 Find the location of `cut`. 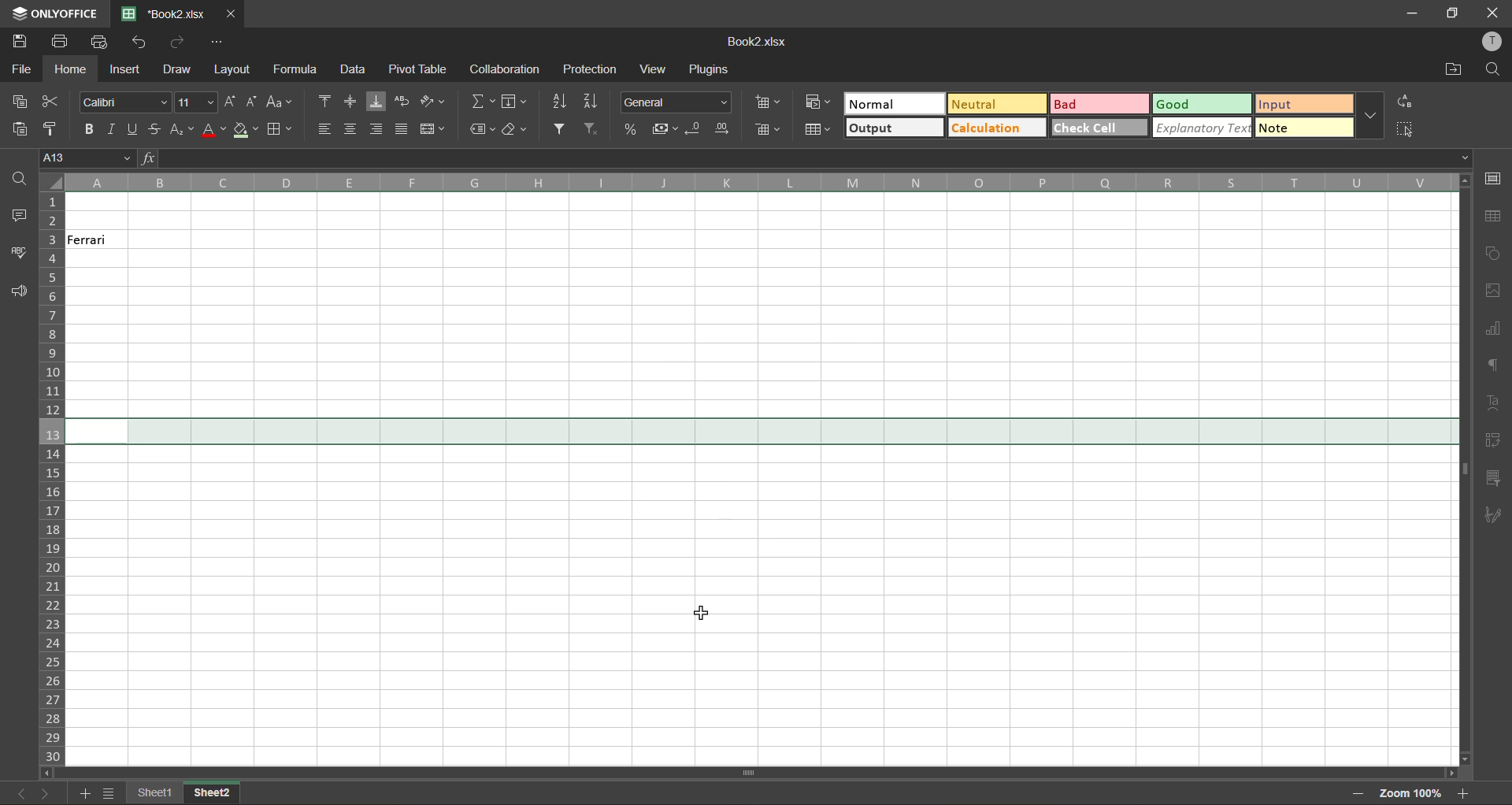

cut is located at coordinates (51, 102).